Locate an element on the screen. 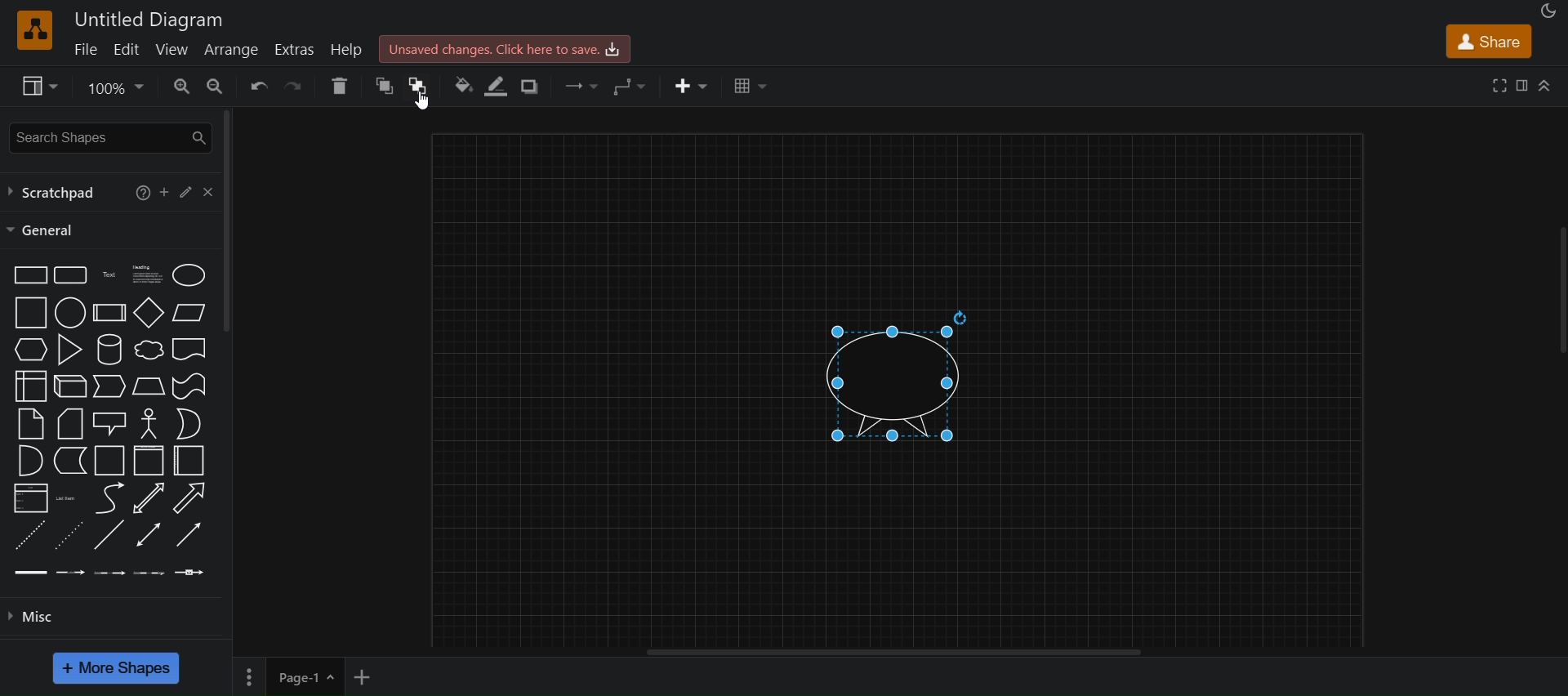 The width and height of the screenshot is (1568, 696). container is located at coordinates (106, 461).